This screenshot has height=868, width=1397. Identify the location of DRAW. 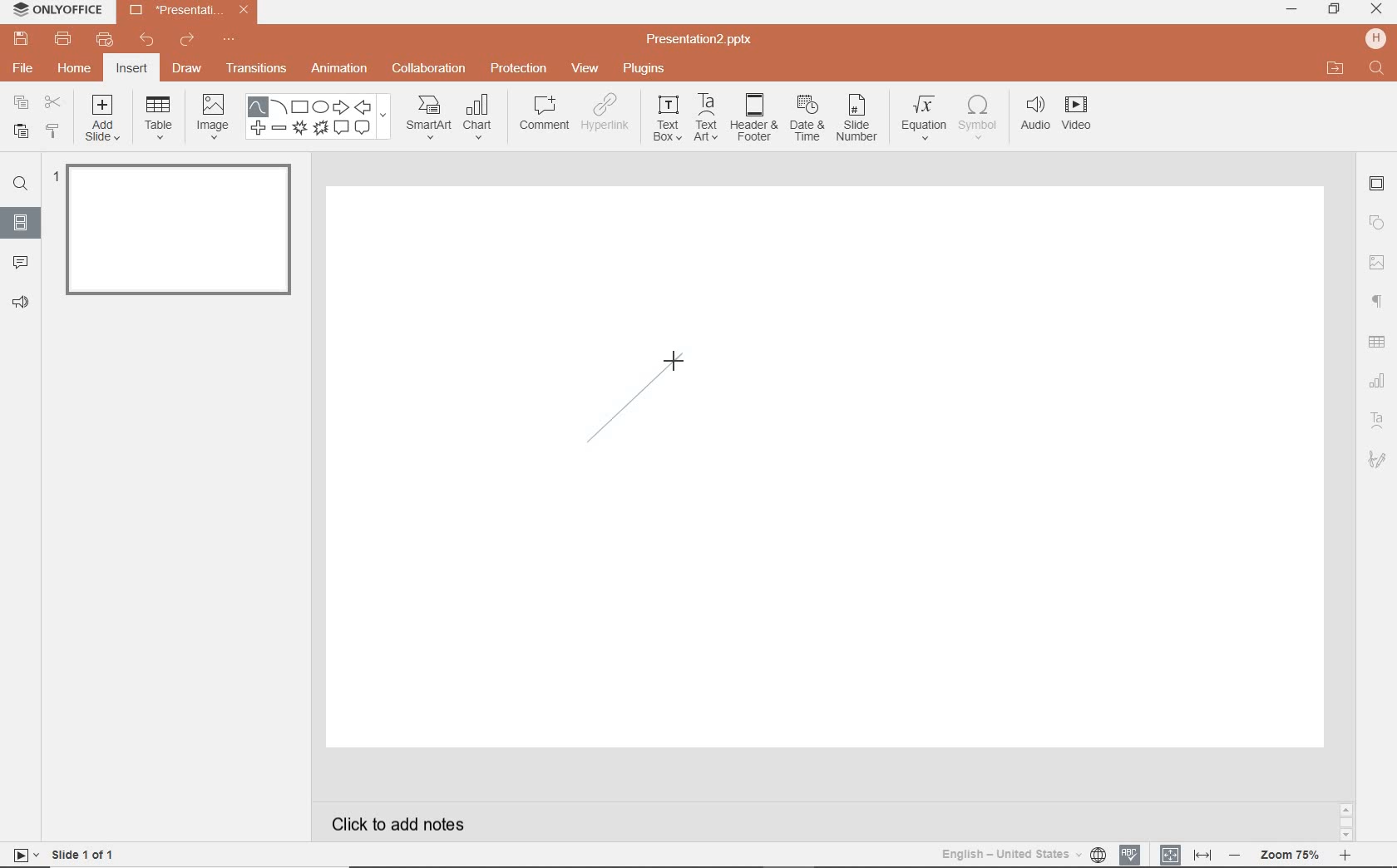
(188, 70).